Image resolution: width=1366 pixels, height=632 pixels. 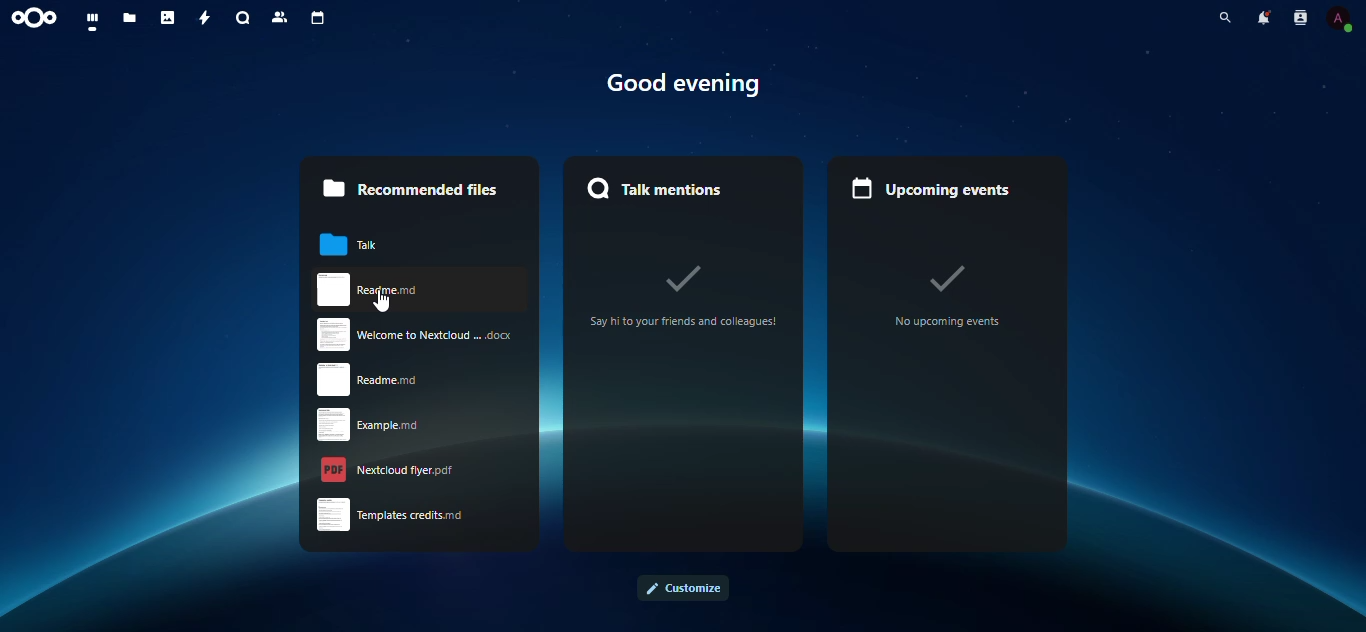 I want to click on Nextcloud fiyer.pdf, so click(x=388, y=470).